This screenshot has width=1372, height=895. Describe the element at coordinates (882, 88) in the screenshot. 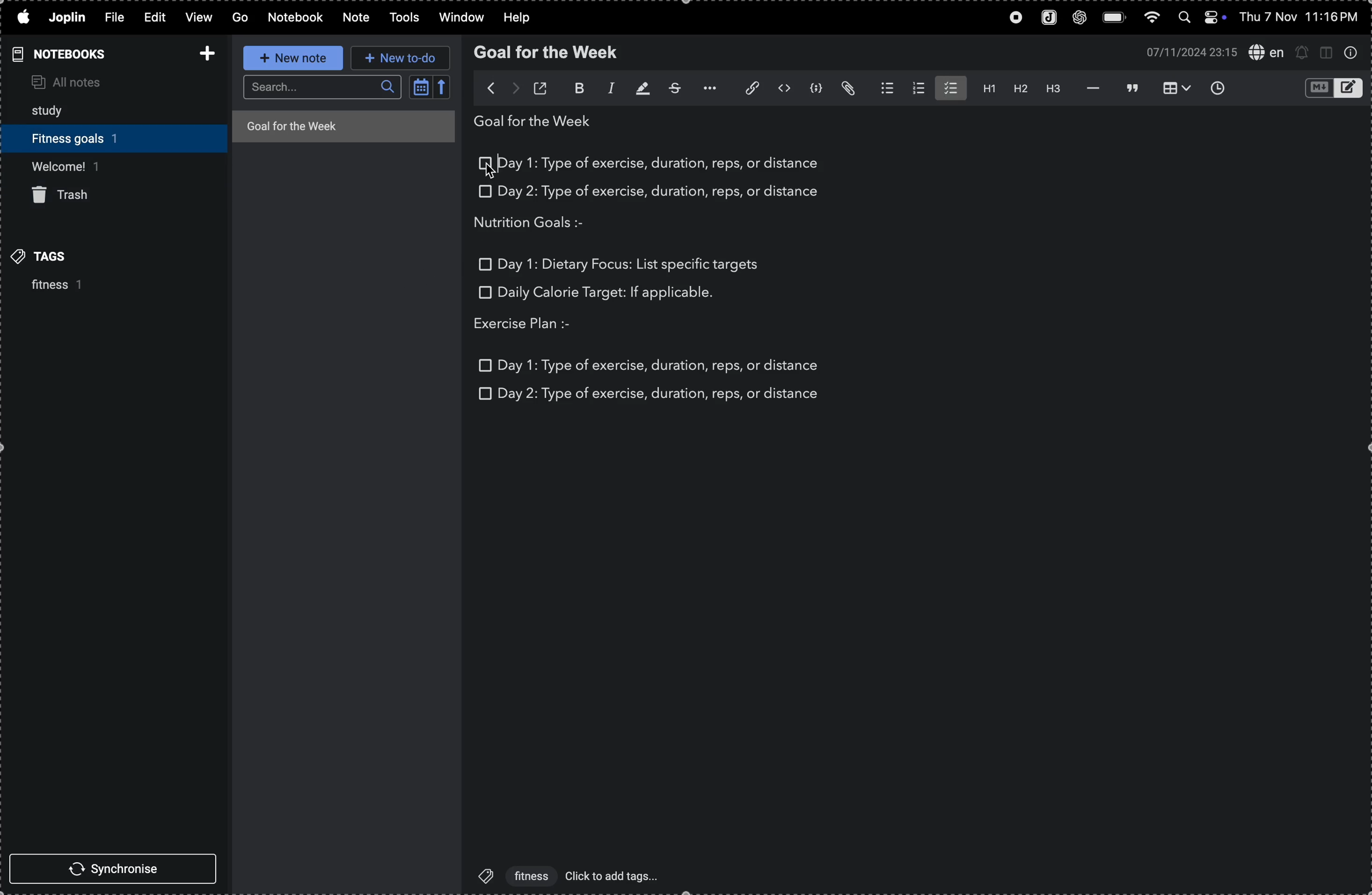

I see `bullet list` at that location.